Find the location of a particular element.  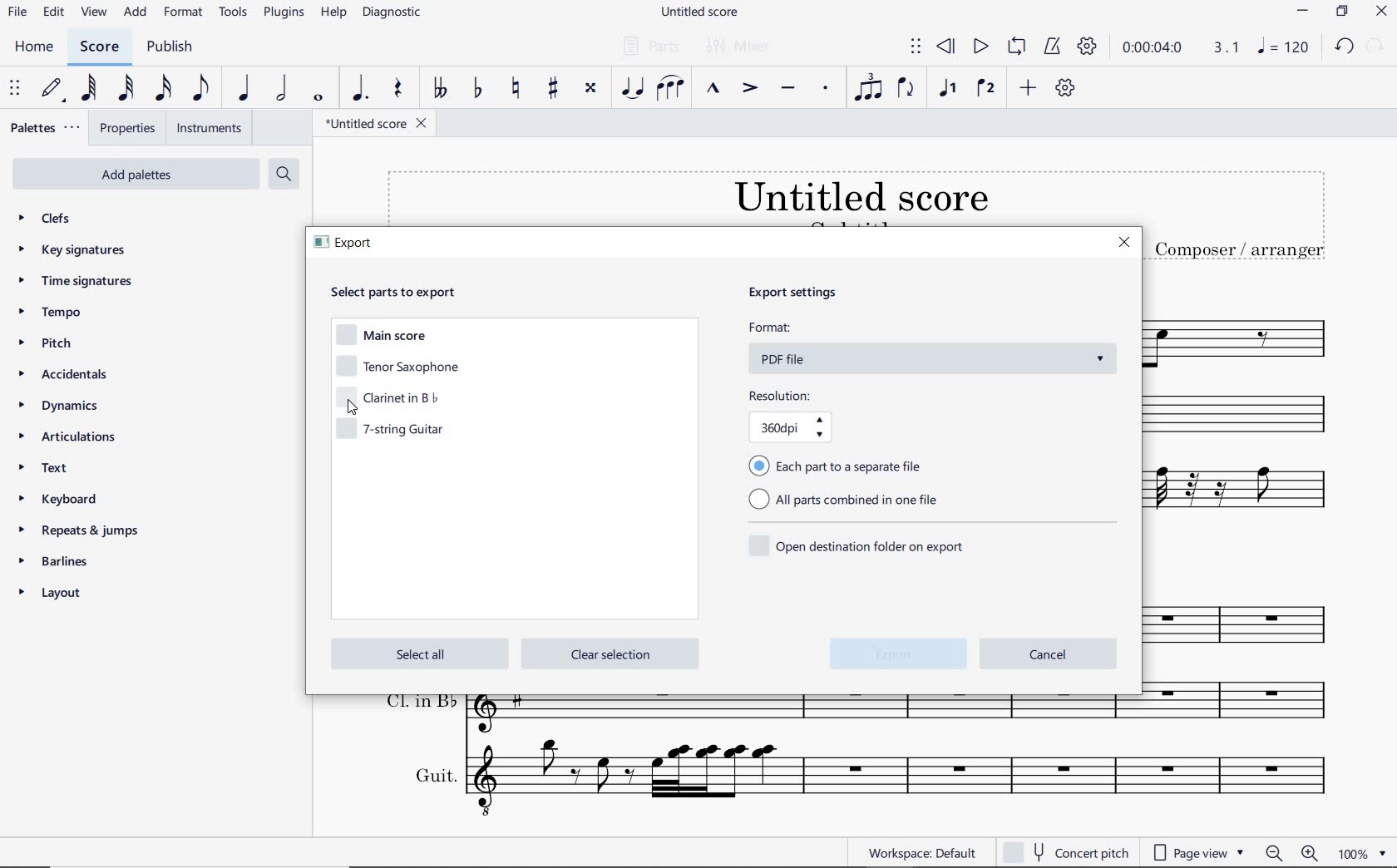

64TH NOTE is located at coordinates (89, 90).